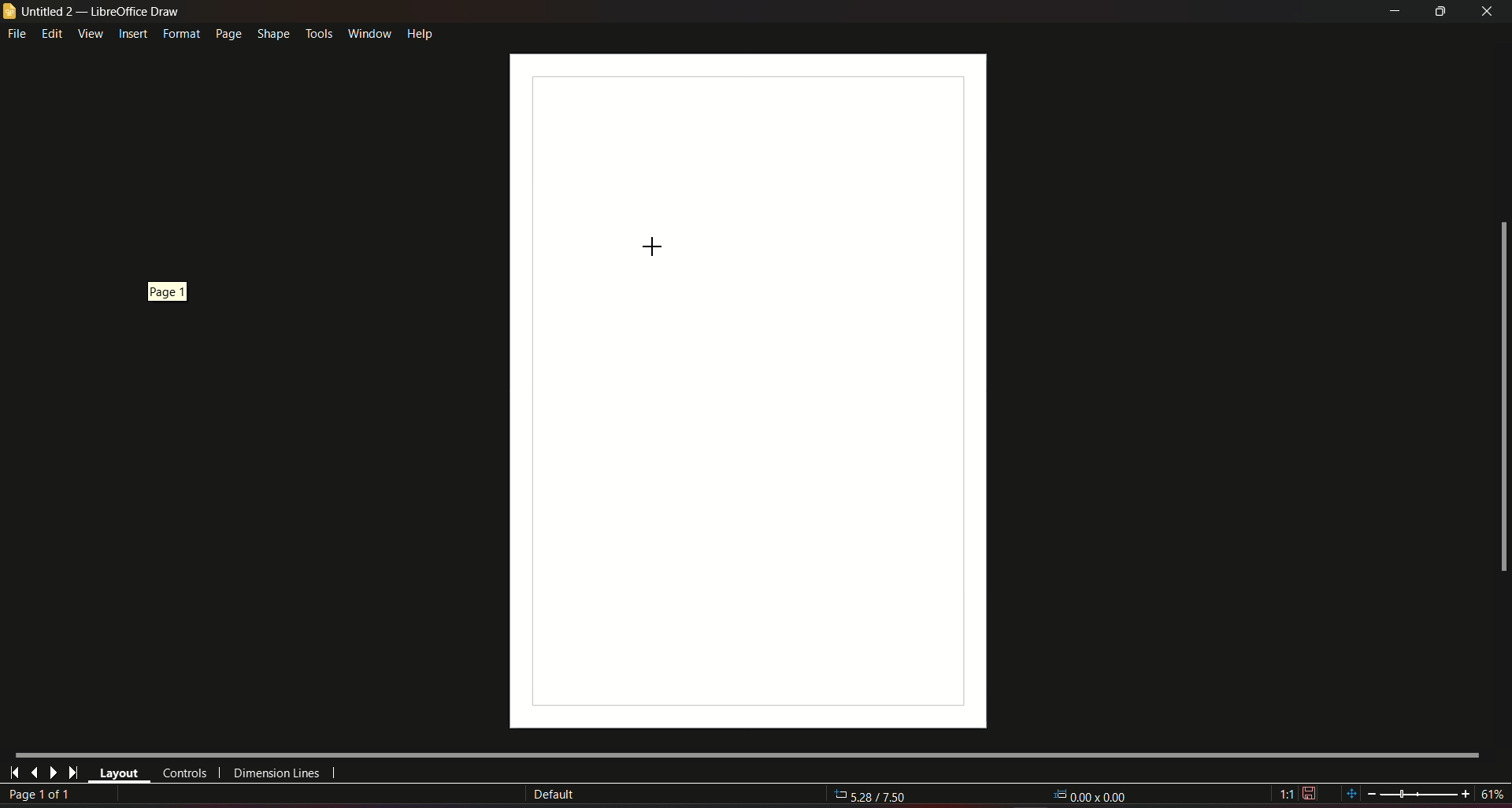 The height and width of the screenshot is (808, 1512). I want to click on insert, so click(132, 35).